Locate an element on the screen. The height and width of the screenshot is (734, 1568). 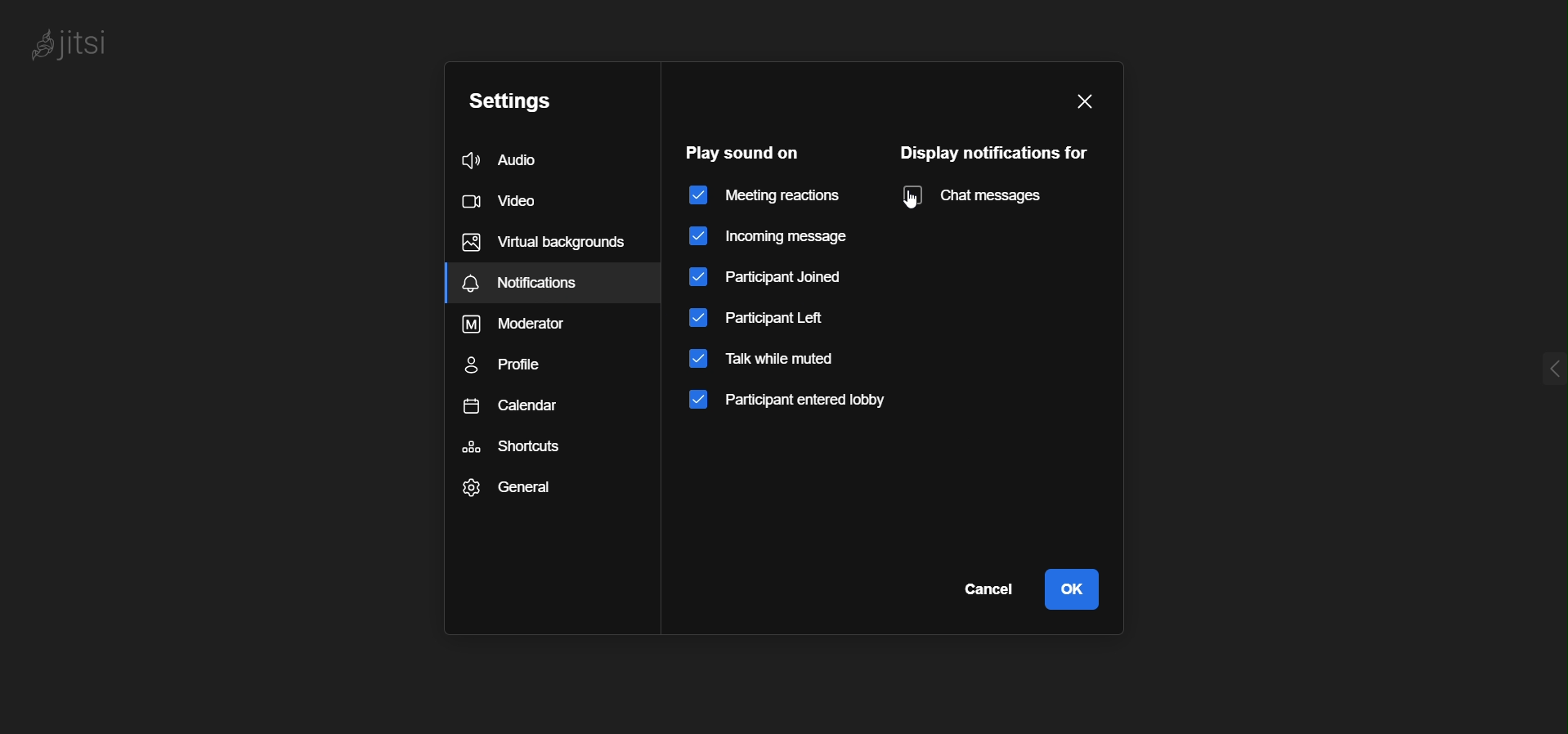
audio is located at coordinates (518, 157).